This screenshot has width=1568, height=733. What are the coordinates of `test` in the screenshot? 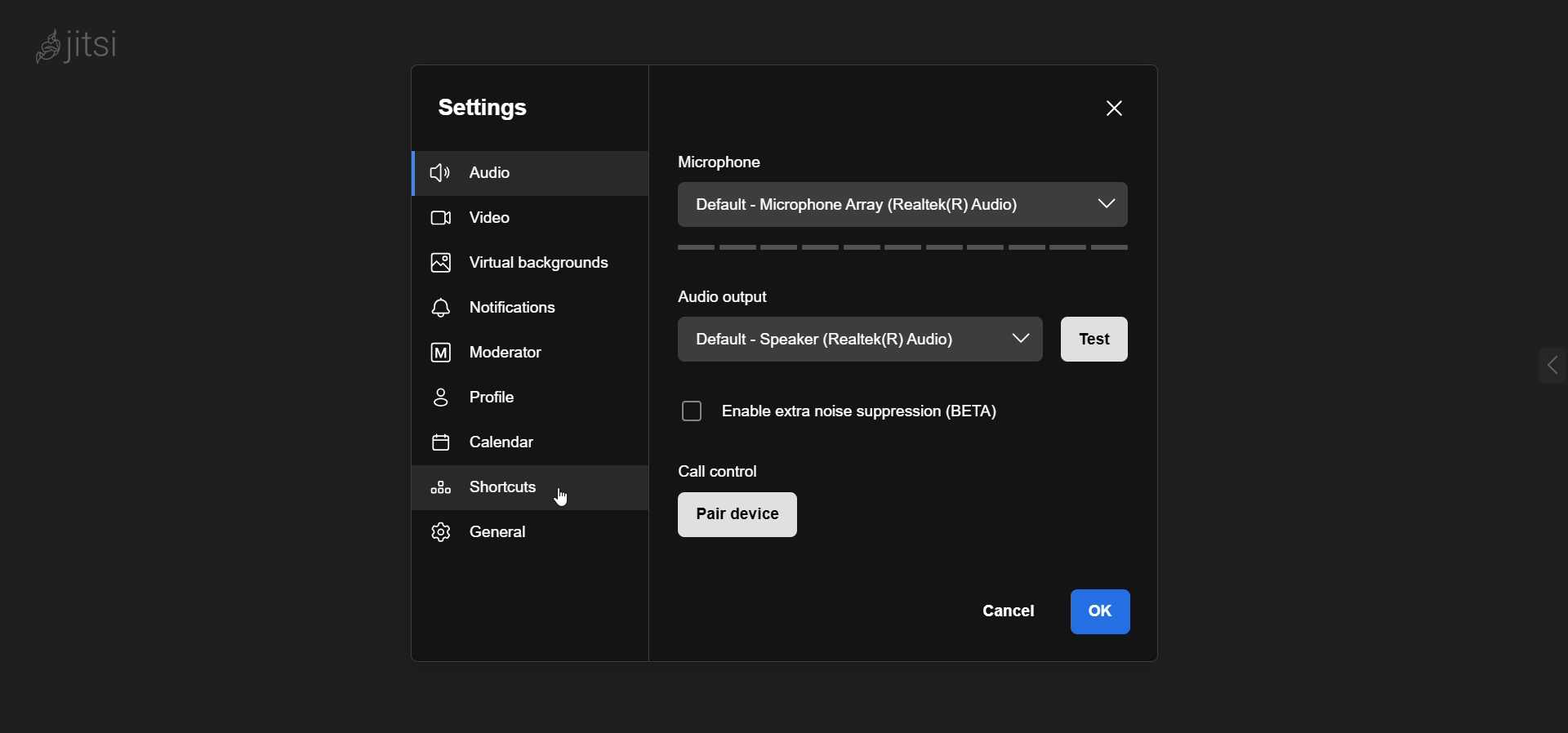 It's located at (1101, 337).